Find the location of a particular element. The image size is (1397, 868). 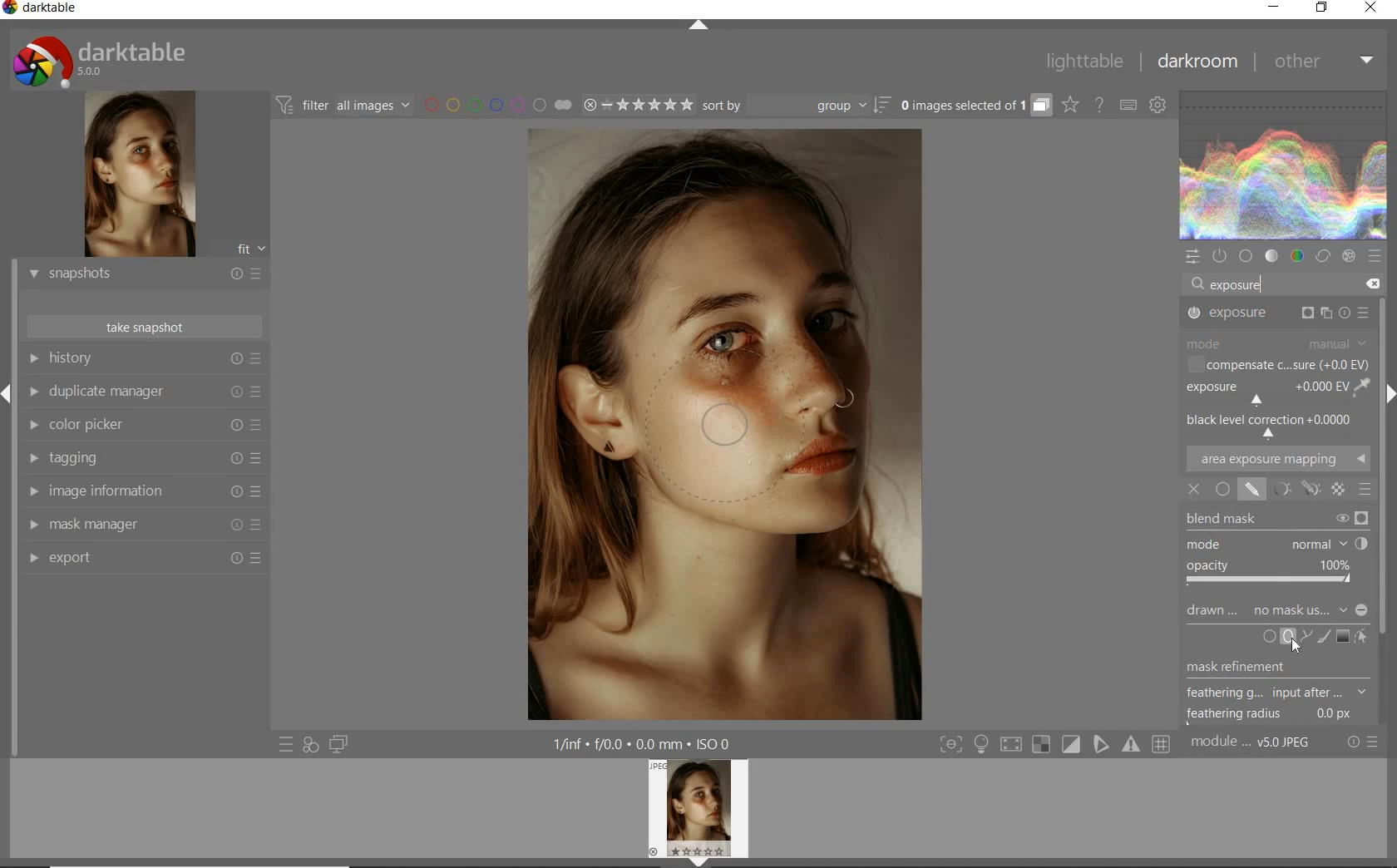

other is located at coordinates (1320, 62).